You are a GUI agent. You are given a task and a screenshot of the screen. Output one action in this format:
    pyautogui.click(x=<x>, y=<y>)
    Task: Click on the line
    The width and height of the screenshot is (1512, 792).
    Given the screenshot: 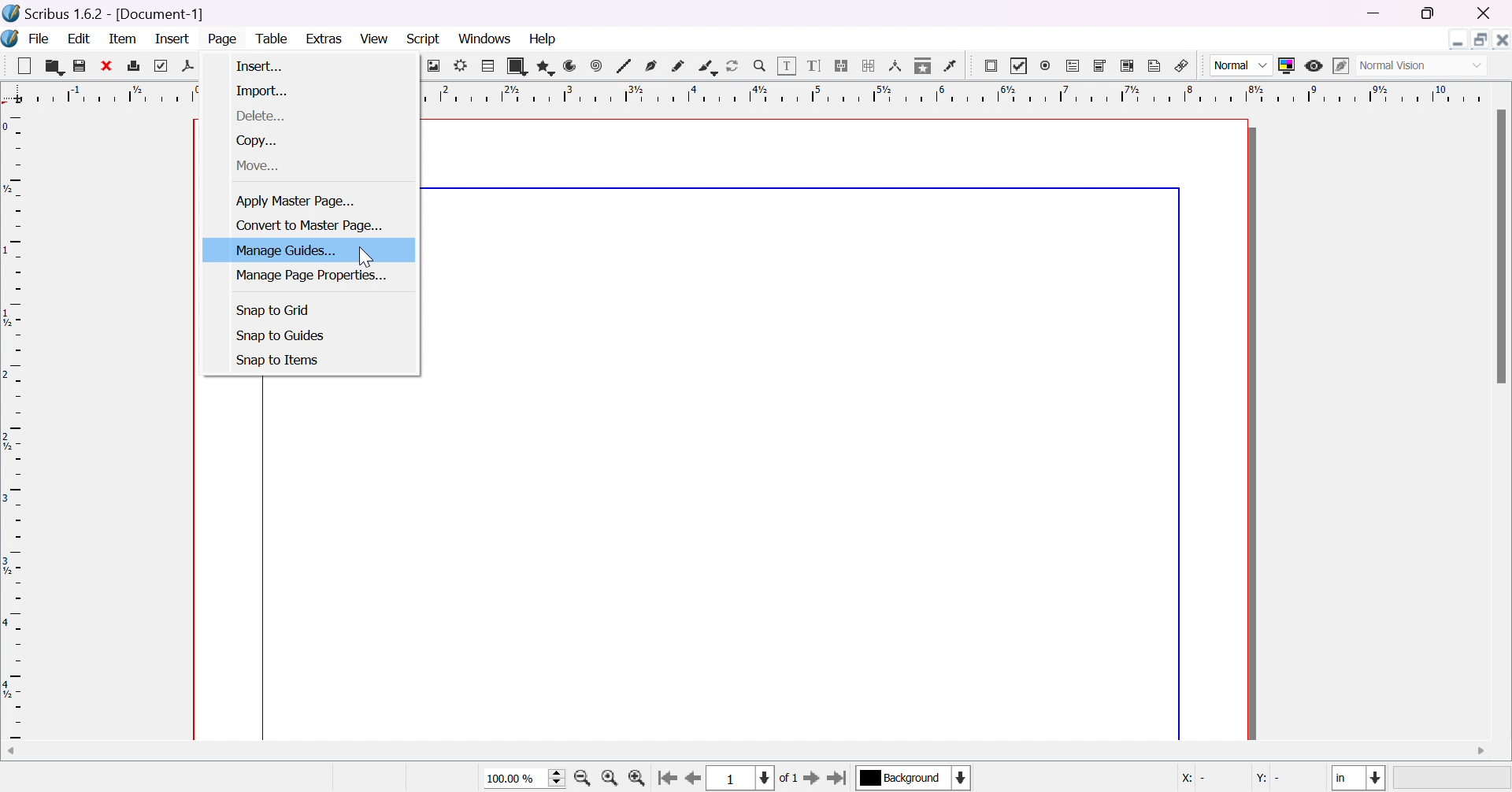 What is the action you would take?
    pyautogui.click(x=627, y=67)
    